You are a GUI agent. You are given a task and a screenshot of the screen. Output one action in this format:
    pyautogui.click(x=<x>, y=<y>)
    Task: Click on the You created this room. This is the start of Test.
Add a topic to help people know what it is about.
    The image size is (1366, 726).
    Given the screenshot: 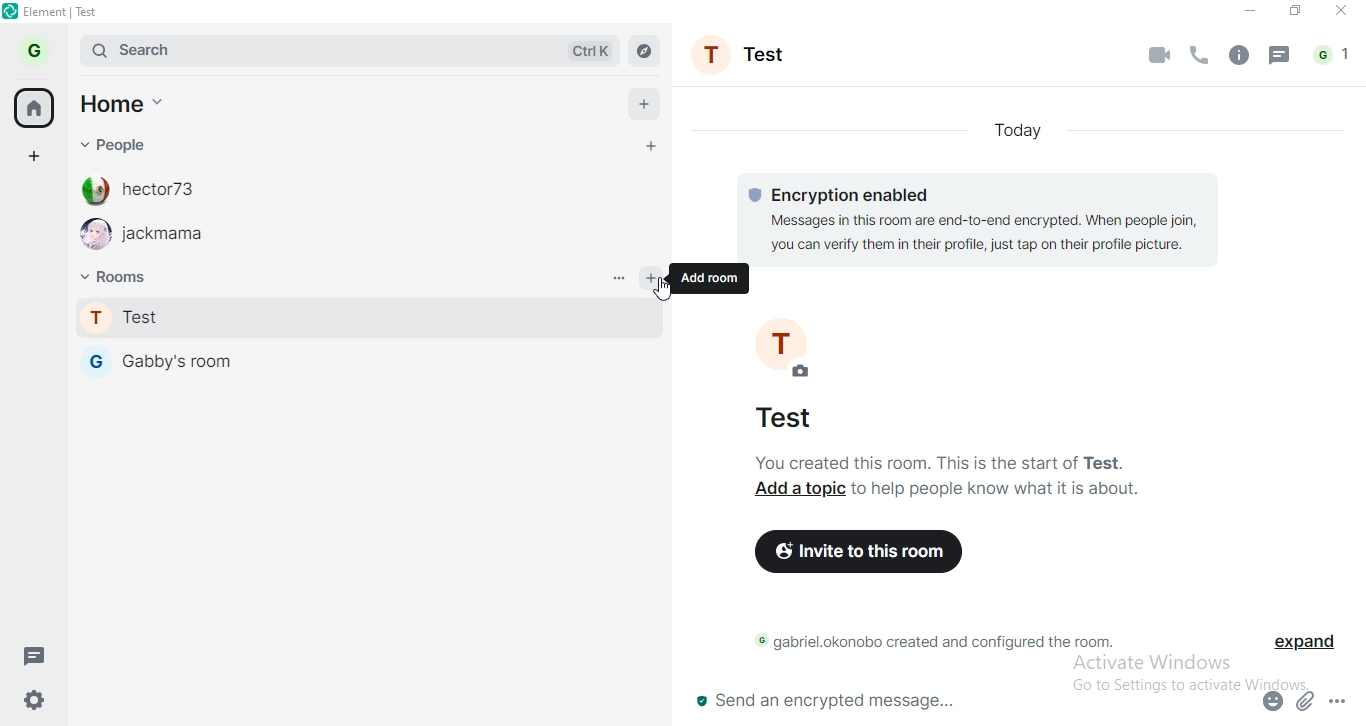 What is the action you would take?
    pyautogui.click(x=937, y=473)
    